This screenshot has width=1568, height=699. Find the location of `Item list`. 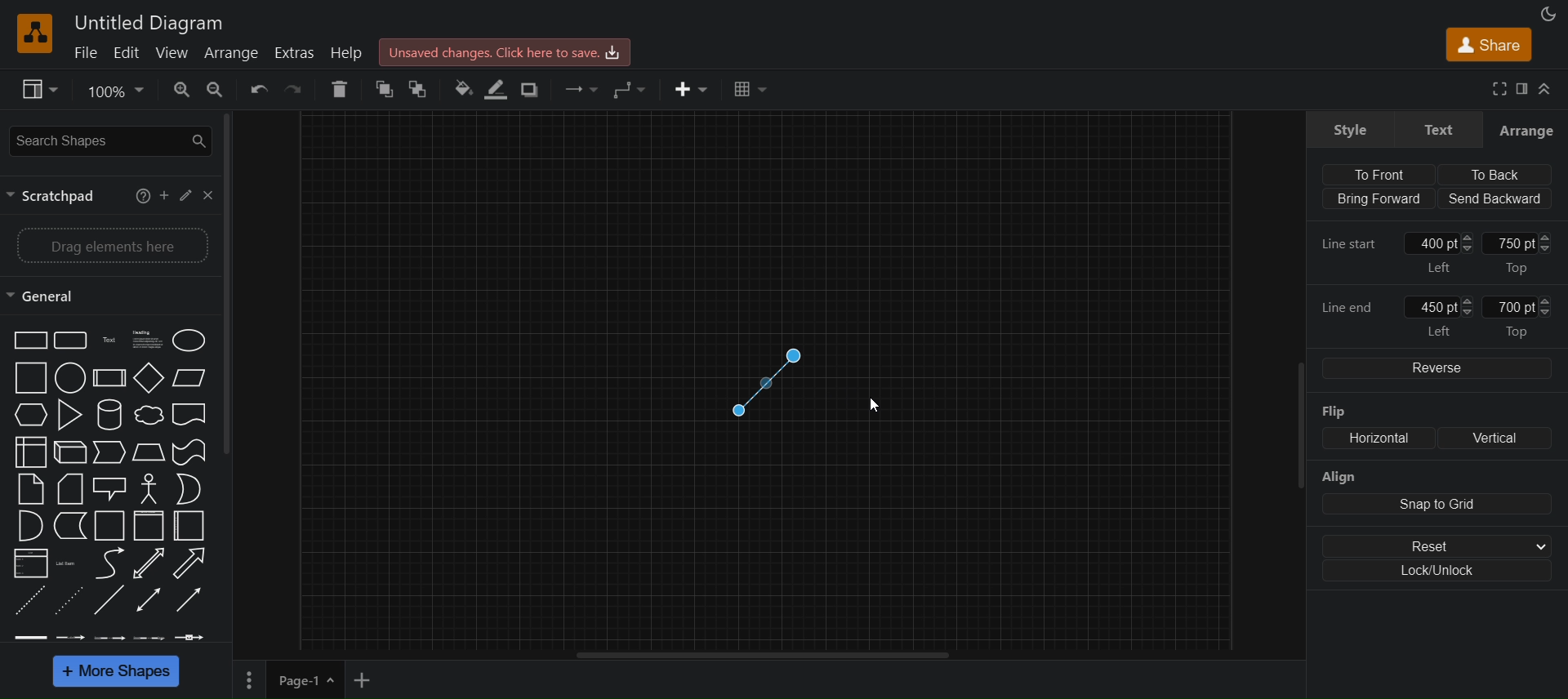

Item list is located at coordinates (68, 563).